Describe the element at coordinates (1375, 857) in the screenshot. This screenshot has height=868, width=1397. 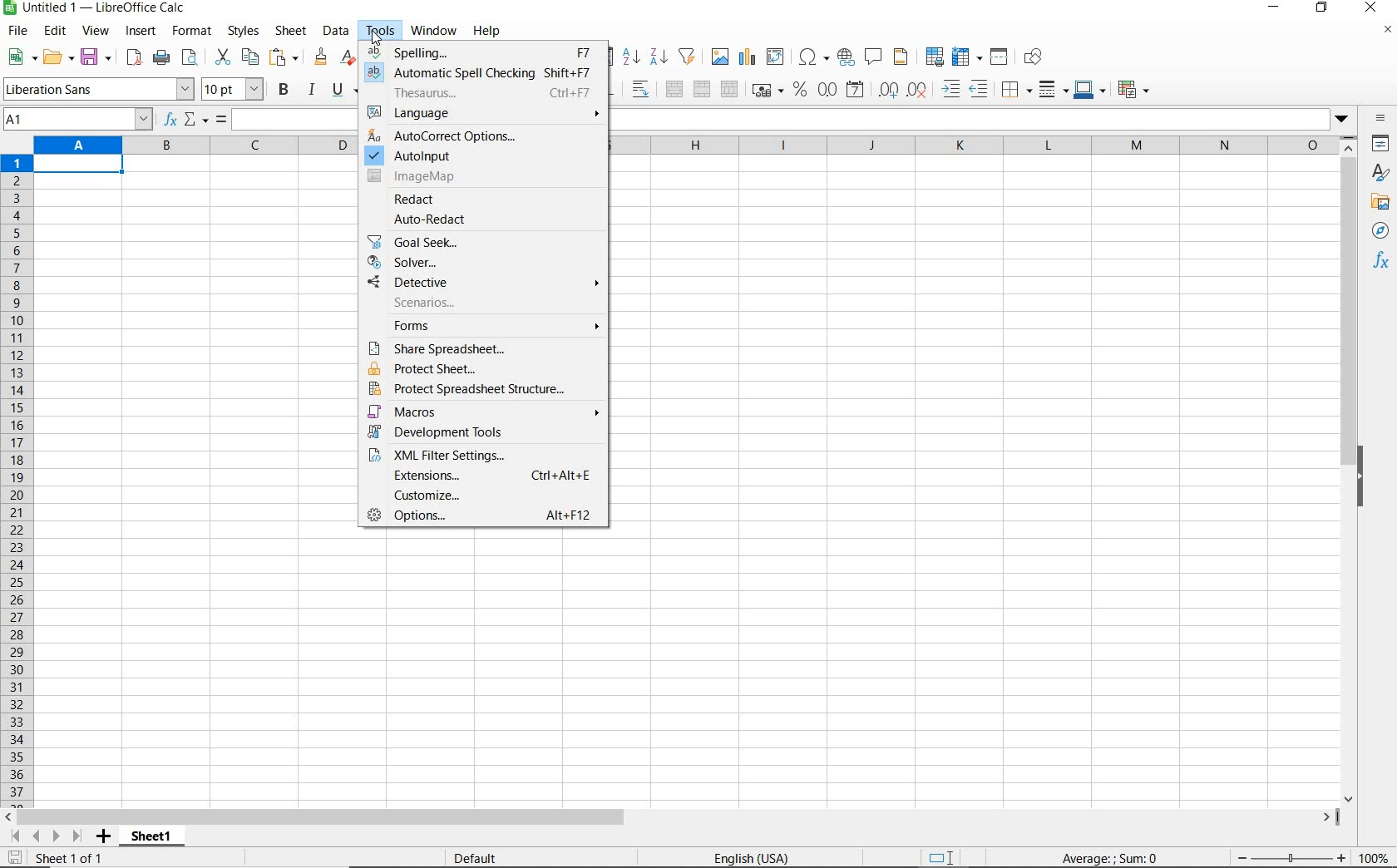
I see `zoom level` at that location.